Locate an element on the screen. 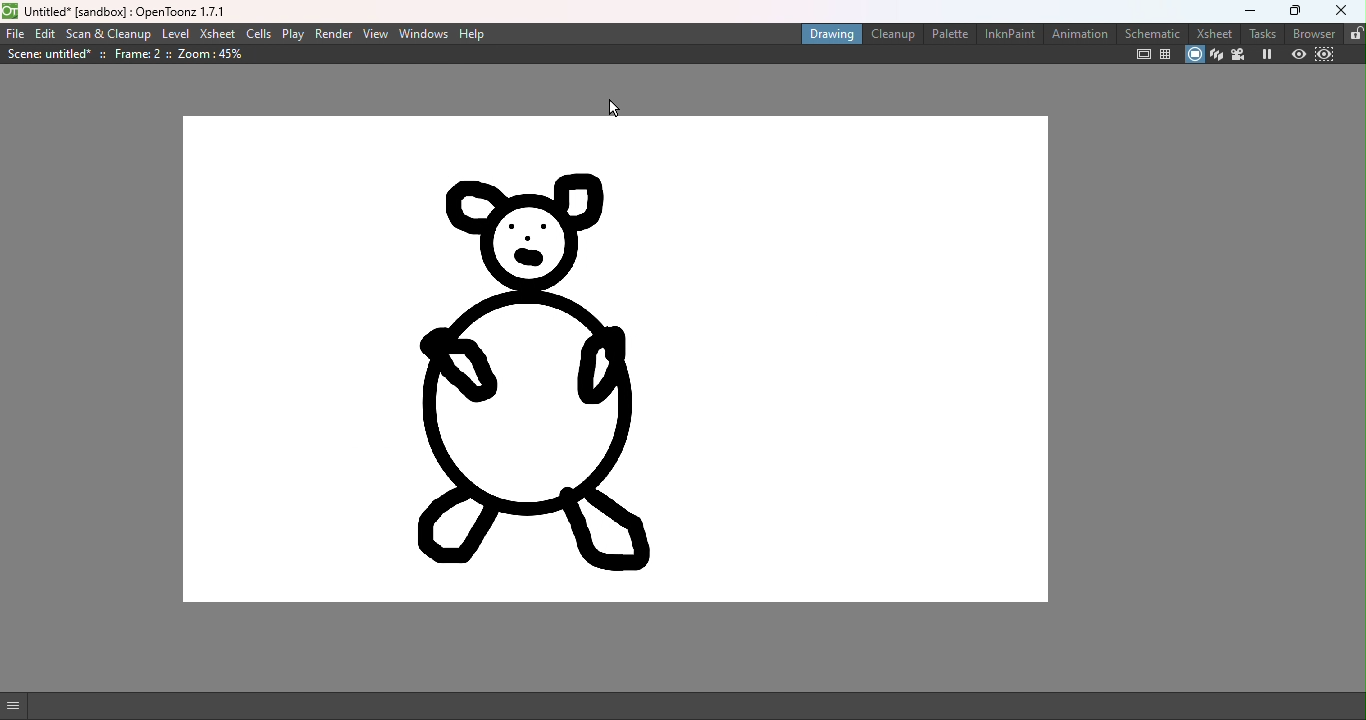  Freeze is located at coordinates (1266, 54).